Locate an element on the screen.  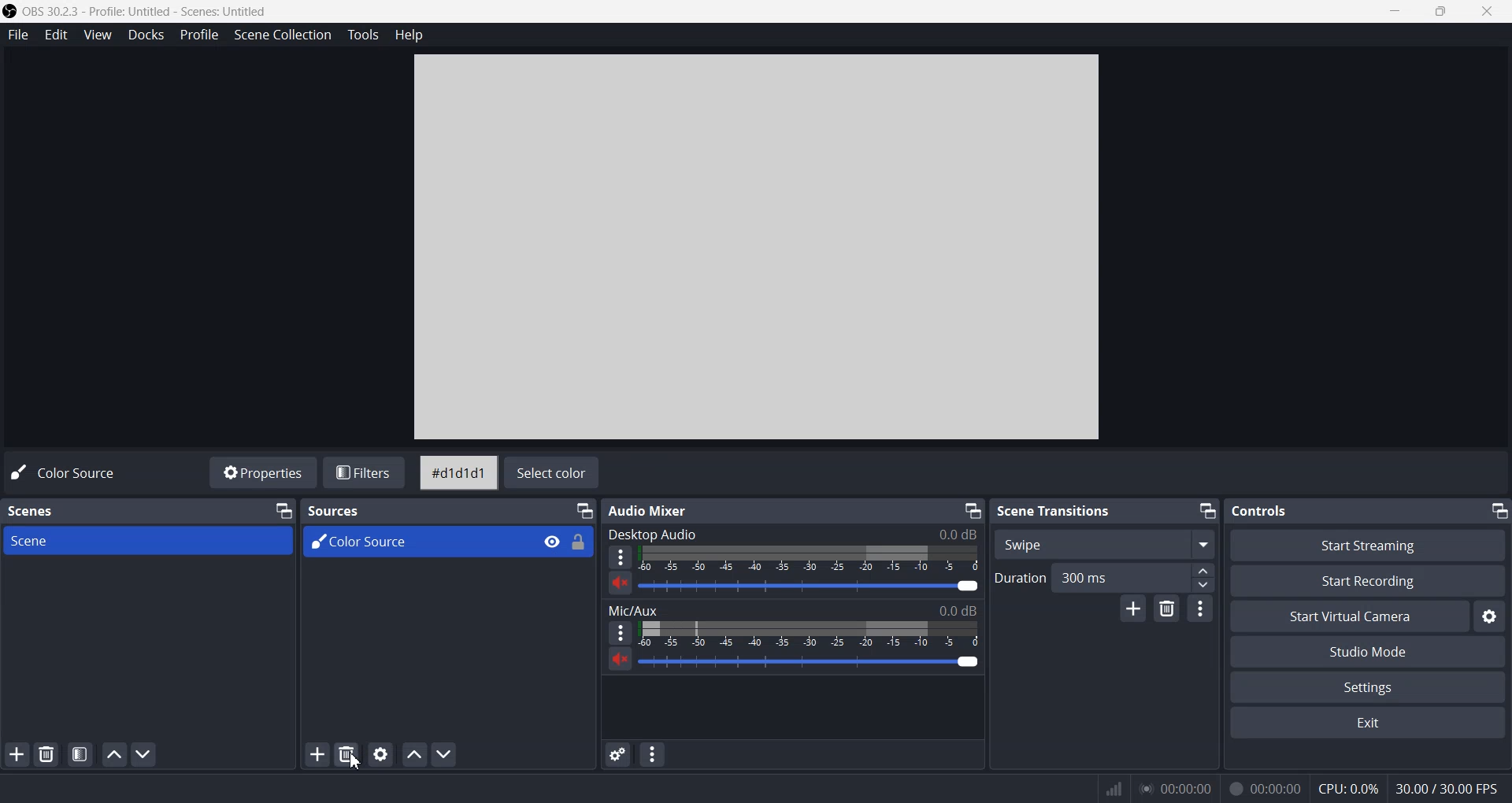
Open scene Filter is located at coordinates (79, 754).